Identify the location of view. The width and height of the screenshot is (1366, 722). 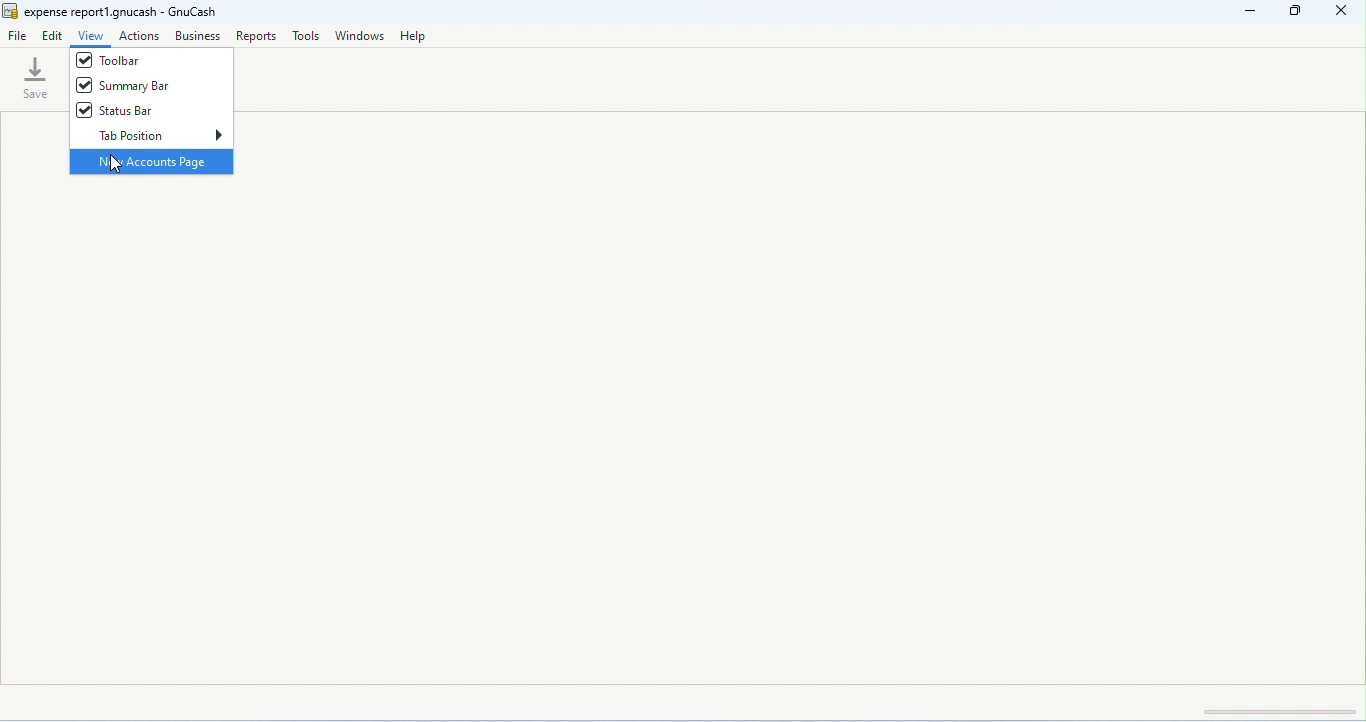
(91, 35).